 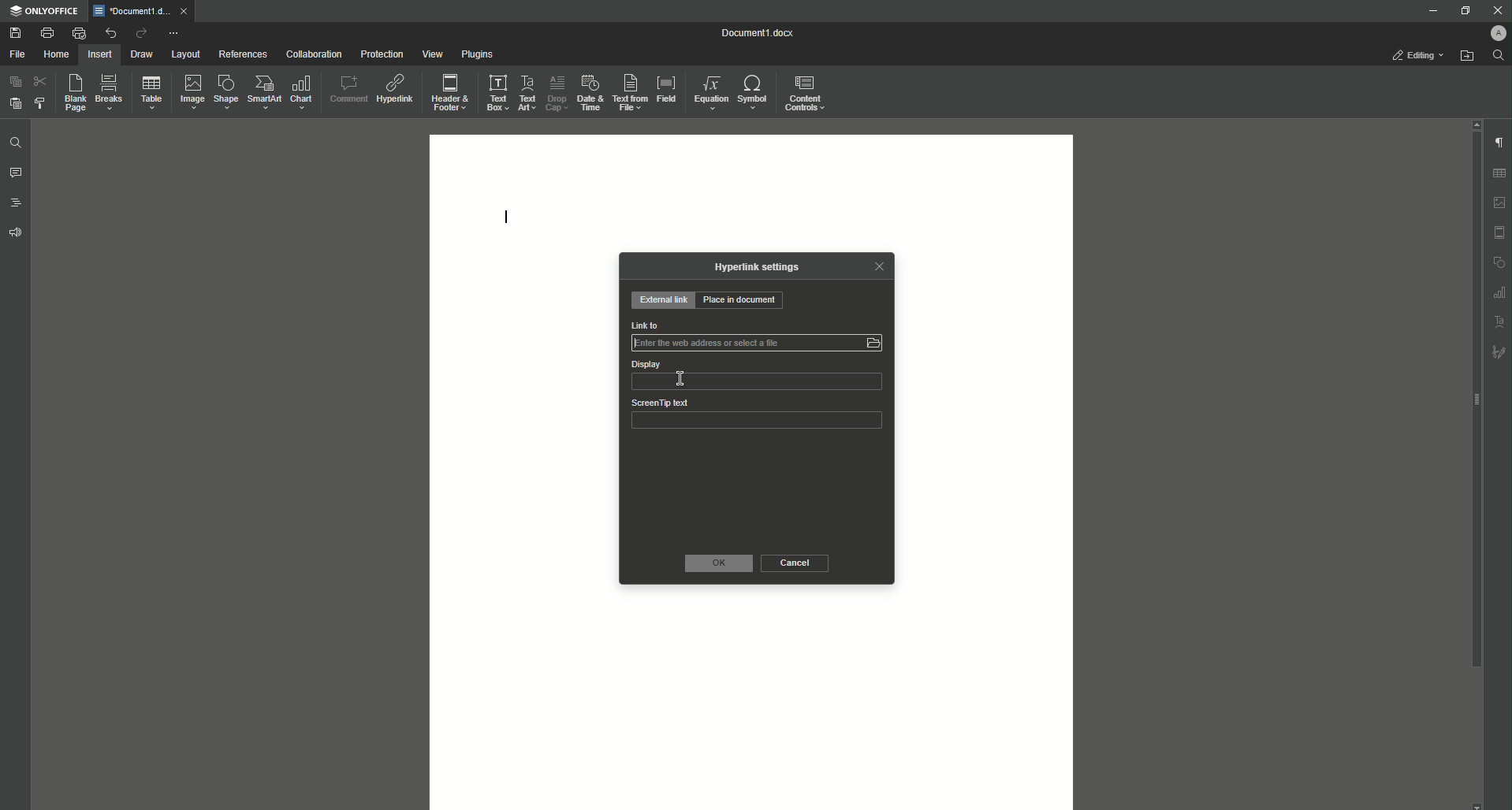 I want to click on Document1.docx, so click(x=762, y=32).